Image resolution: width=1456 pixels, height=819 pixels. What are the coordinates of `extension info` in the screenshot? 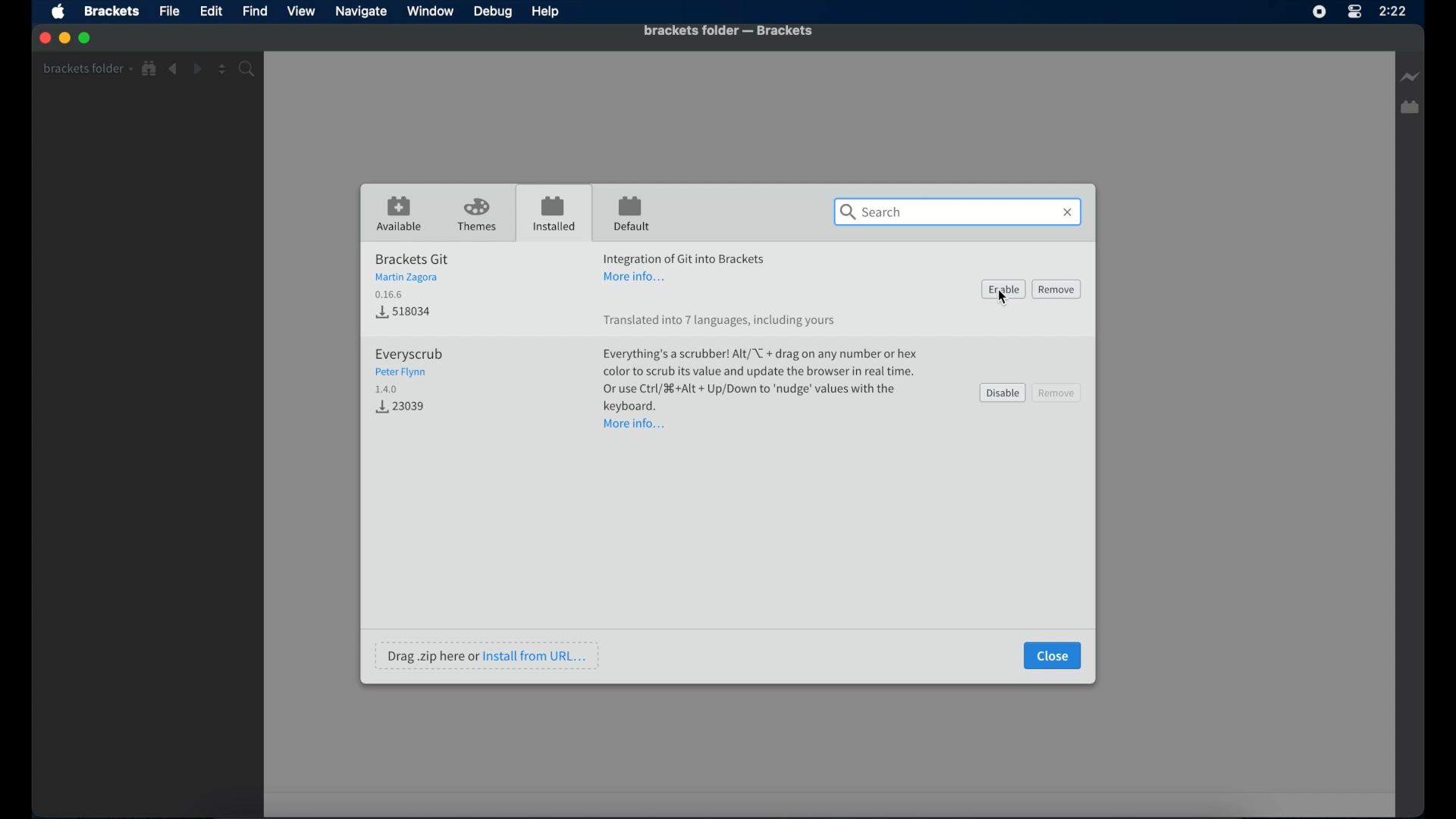 It's located at (685, 256).